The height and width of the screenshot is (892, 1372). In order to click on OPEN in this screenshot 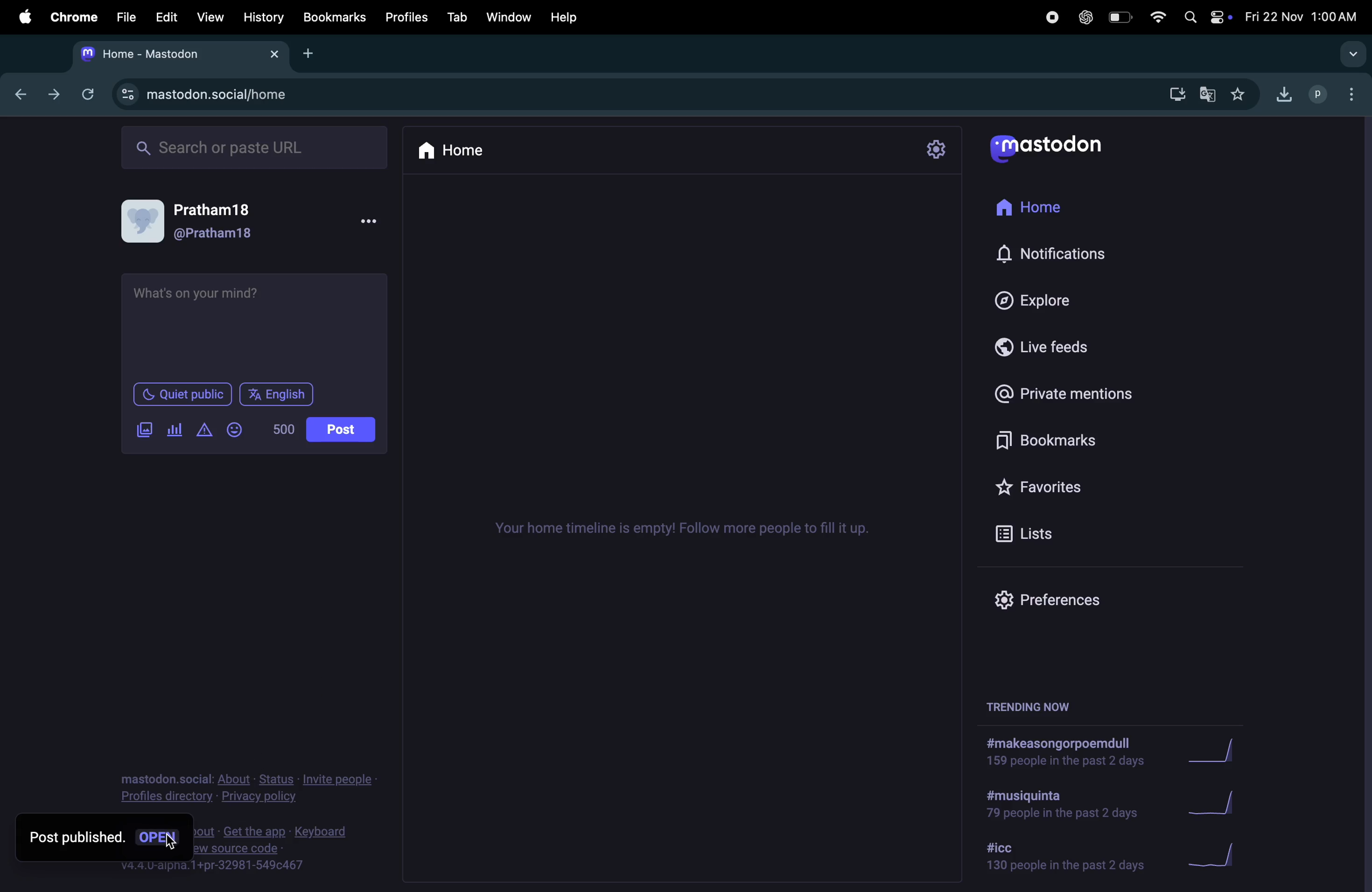, I will do `click(157, 837)`.